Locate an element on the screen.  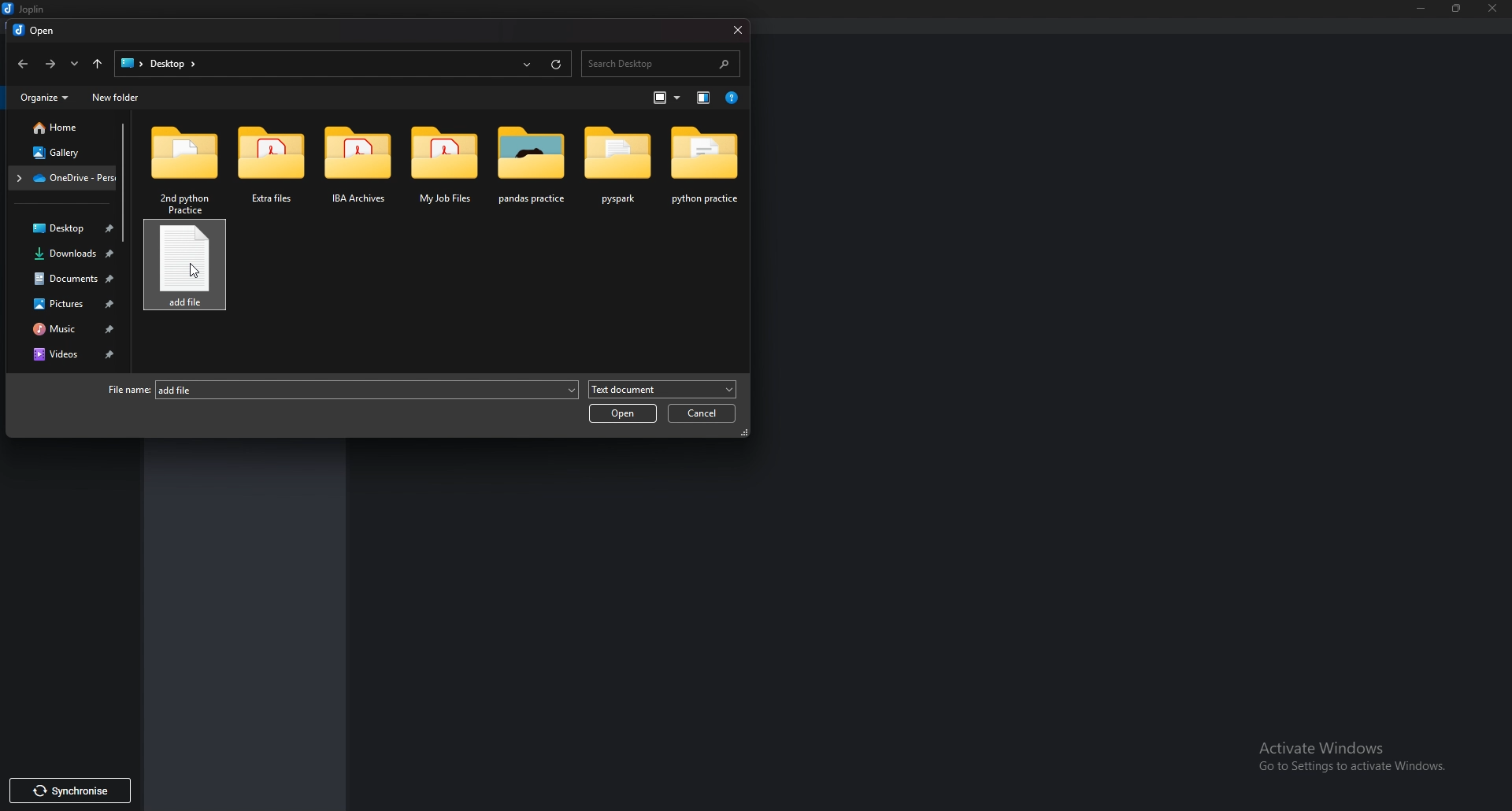
Resize is located at coordinates (1459, 8).